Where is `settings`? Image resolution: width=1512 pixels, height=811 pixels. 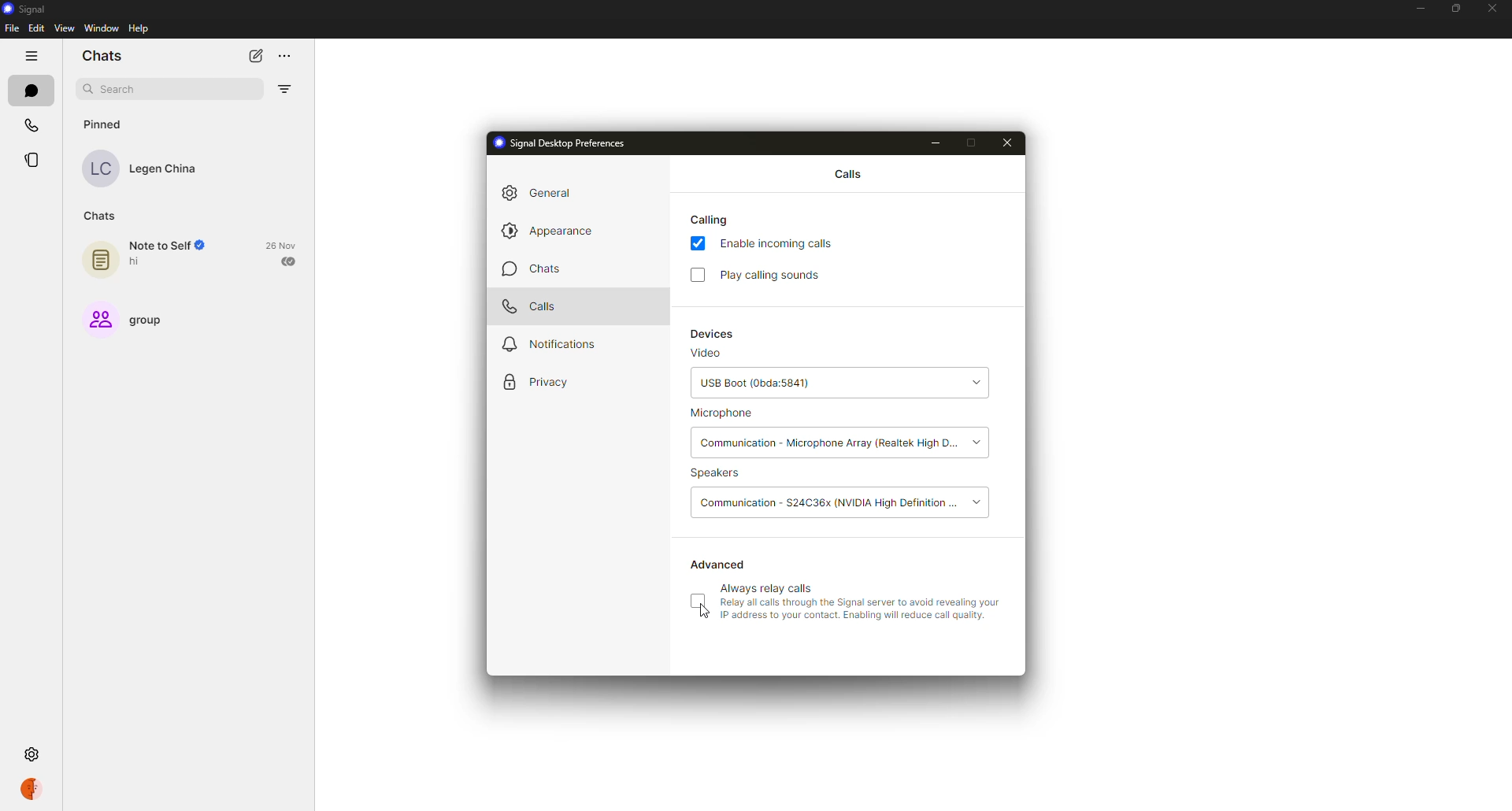
settings is located at coordinates (34, 756).